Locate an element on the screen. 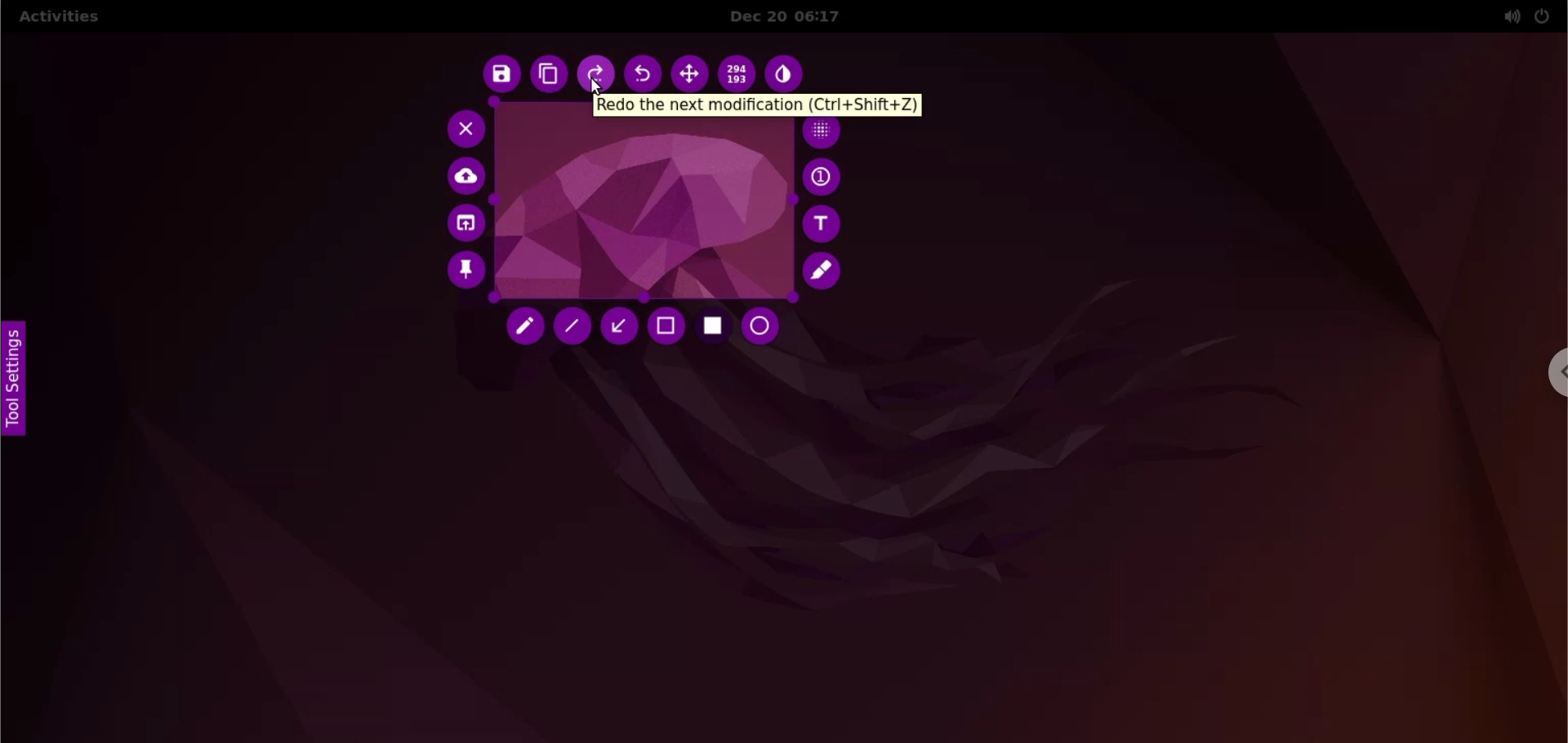 This screenshot has width=1568, height=743. rectangle tool is located at coordinates (714, 328).